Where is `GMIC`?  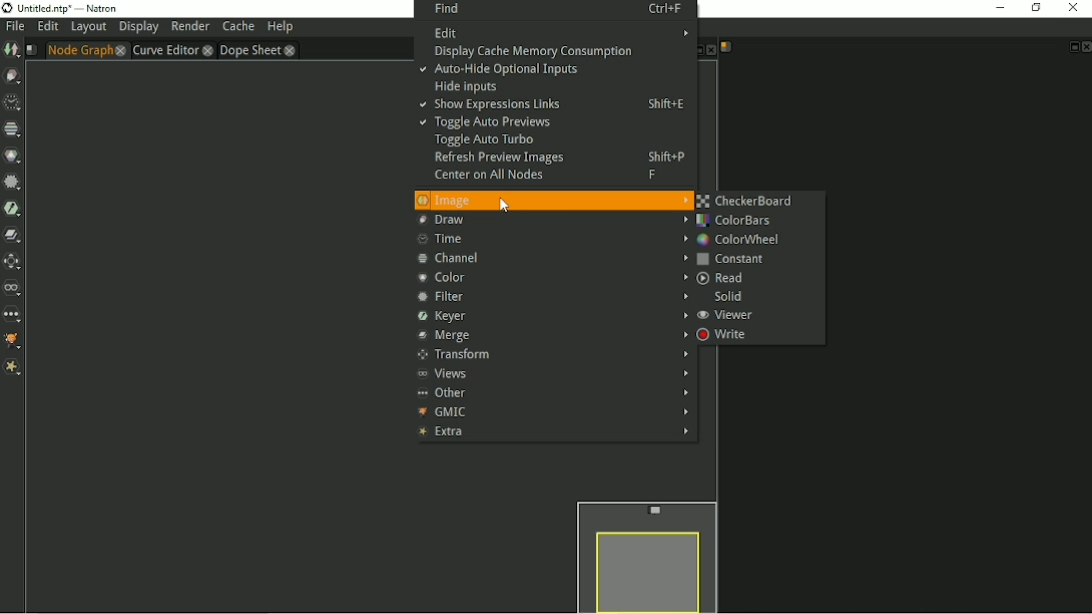
GMIC is located at coordinates (14, 343).